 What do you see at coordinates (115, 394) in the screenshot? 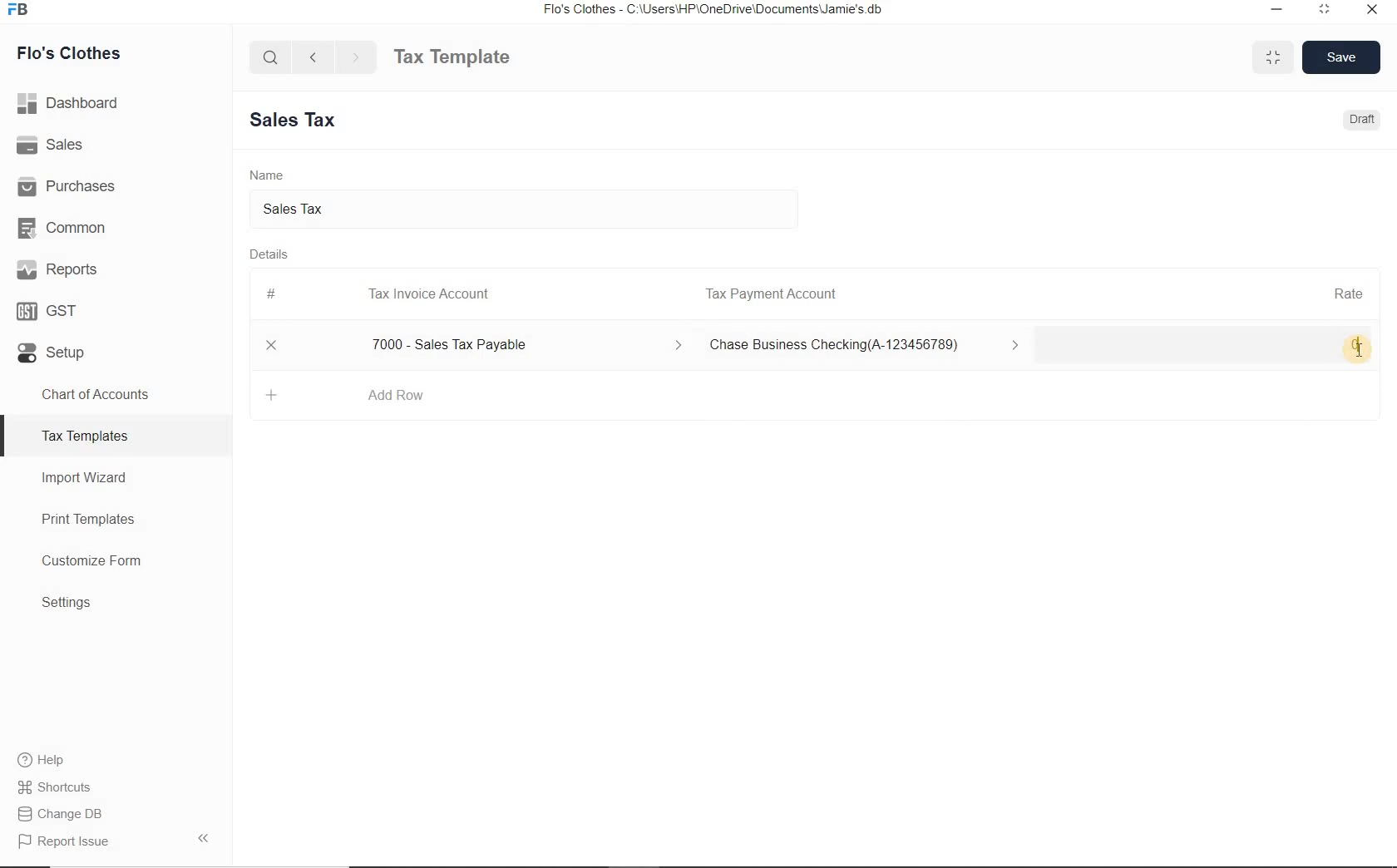
I see `Chart of Accounts` at bounding box center [115, 394].